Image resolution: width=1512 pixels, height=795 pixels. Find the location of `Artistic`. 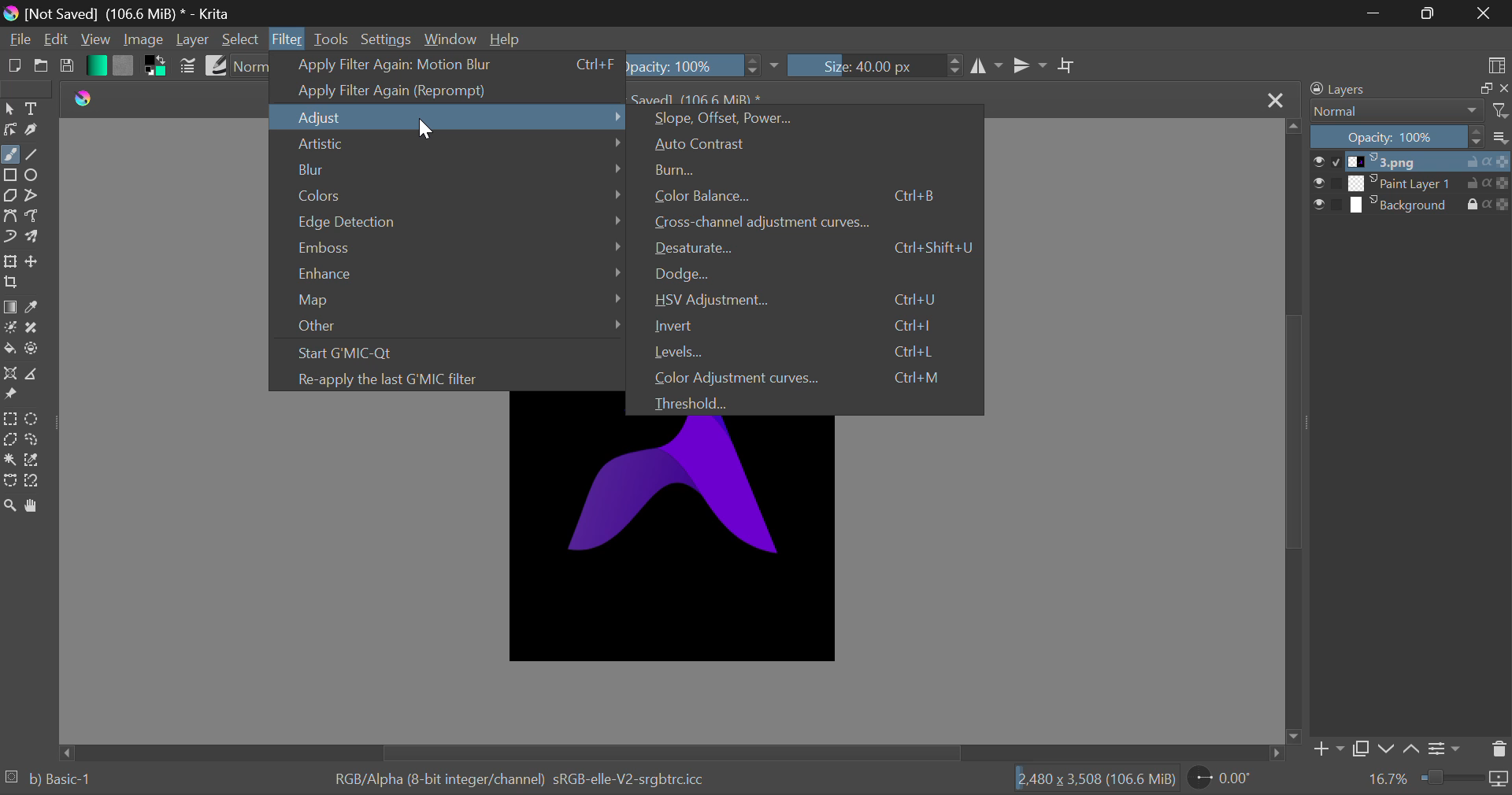

Artistic is located at coordinates (454, 146).